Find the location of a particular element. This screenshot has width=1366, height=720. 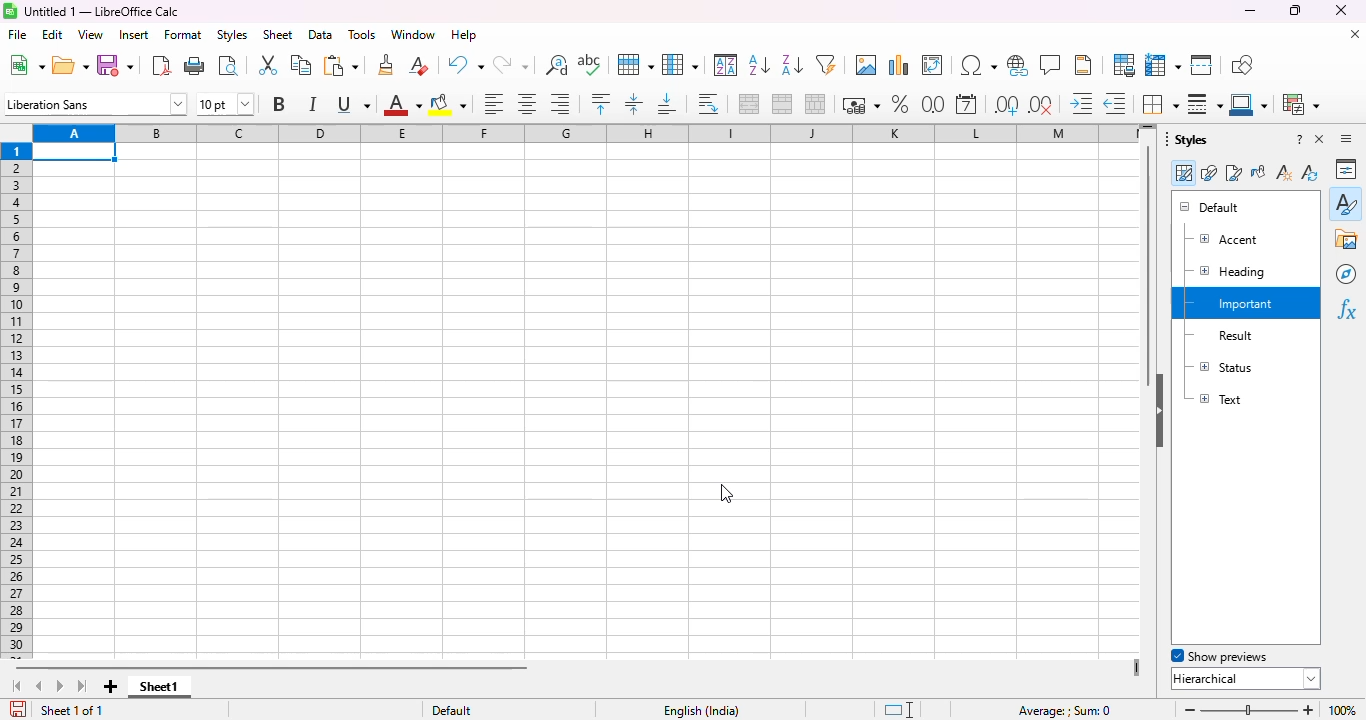

align top is located at coordinates (600, 103).